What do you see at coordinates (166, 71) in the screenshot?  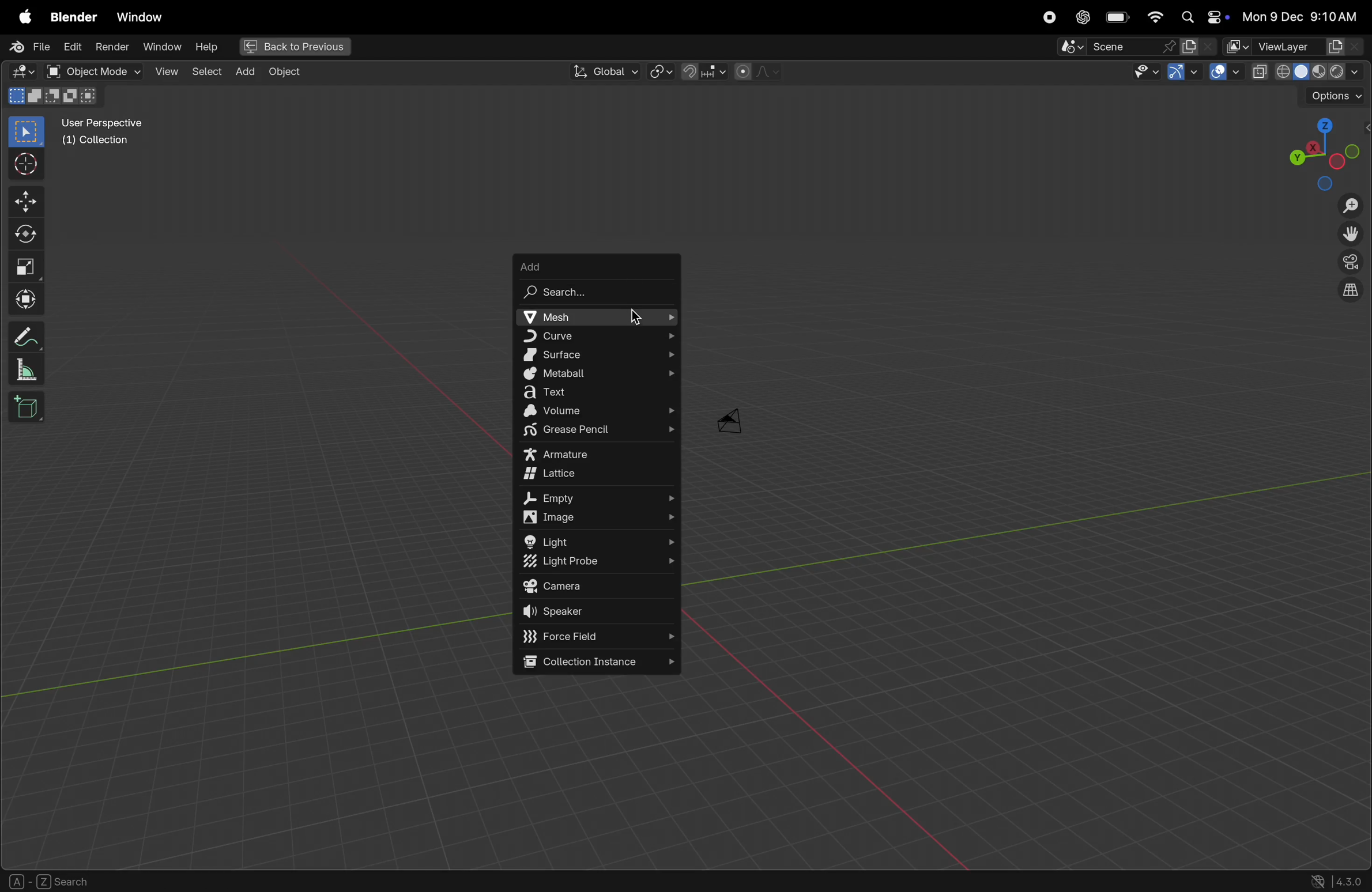 I see `view` at bounding box center [166, 71].